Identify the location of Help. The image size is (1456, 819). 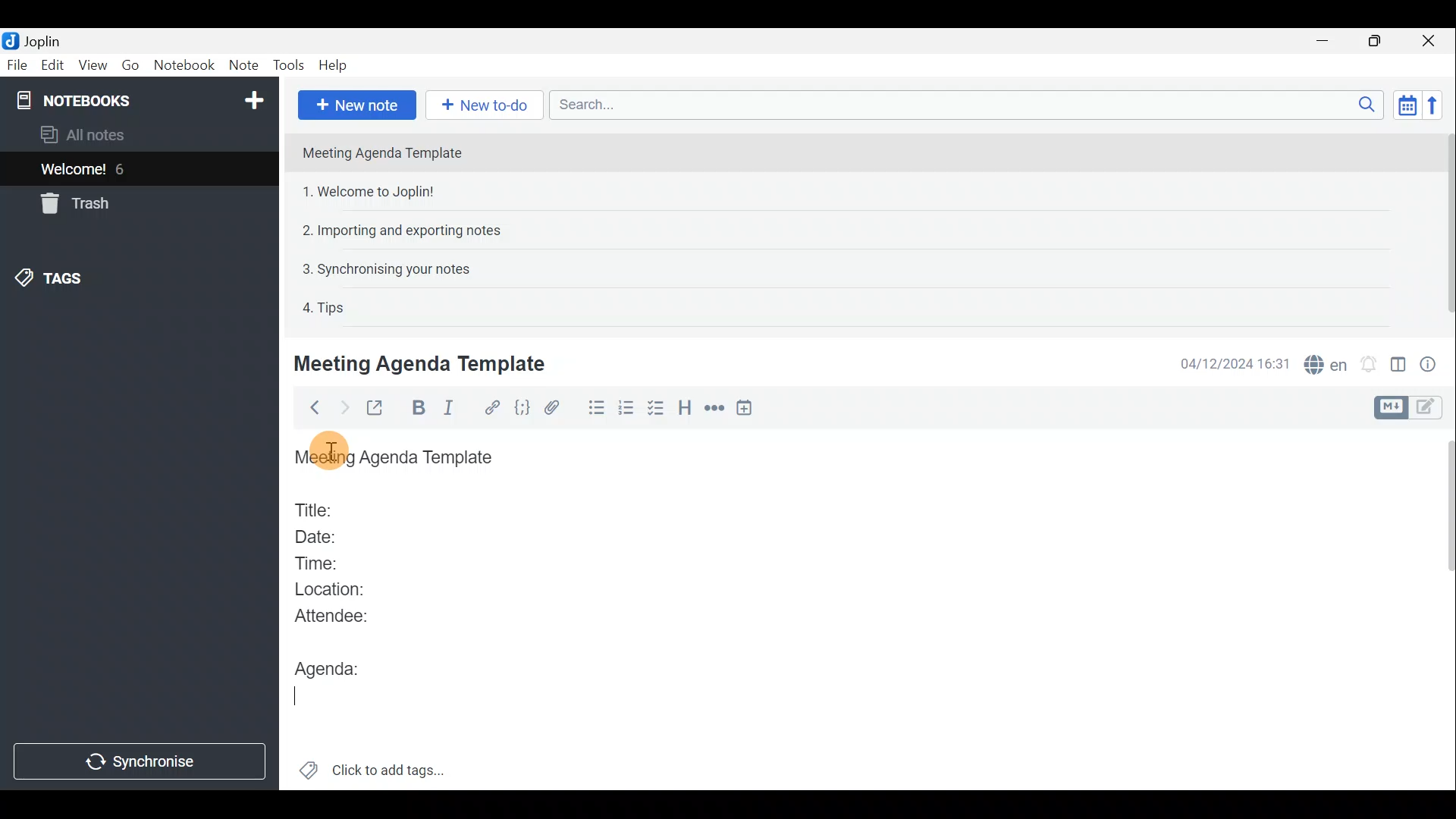
(336, 65).